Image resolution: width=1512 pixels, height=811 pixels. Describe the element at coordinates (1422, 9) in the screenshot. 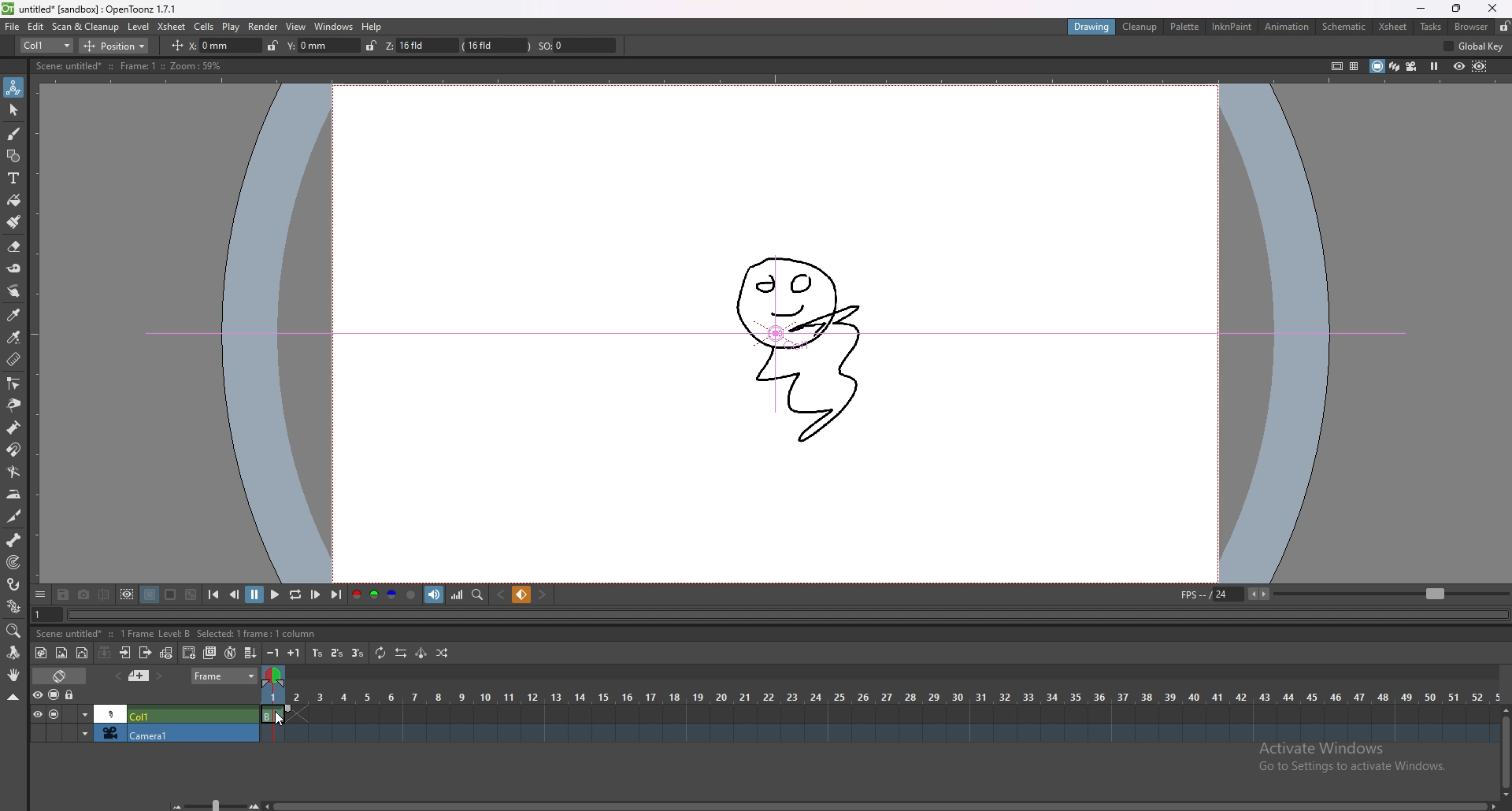

I see `minimize` at that location.